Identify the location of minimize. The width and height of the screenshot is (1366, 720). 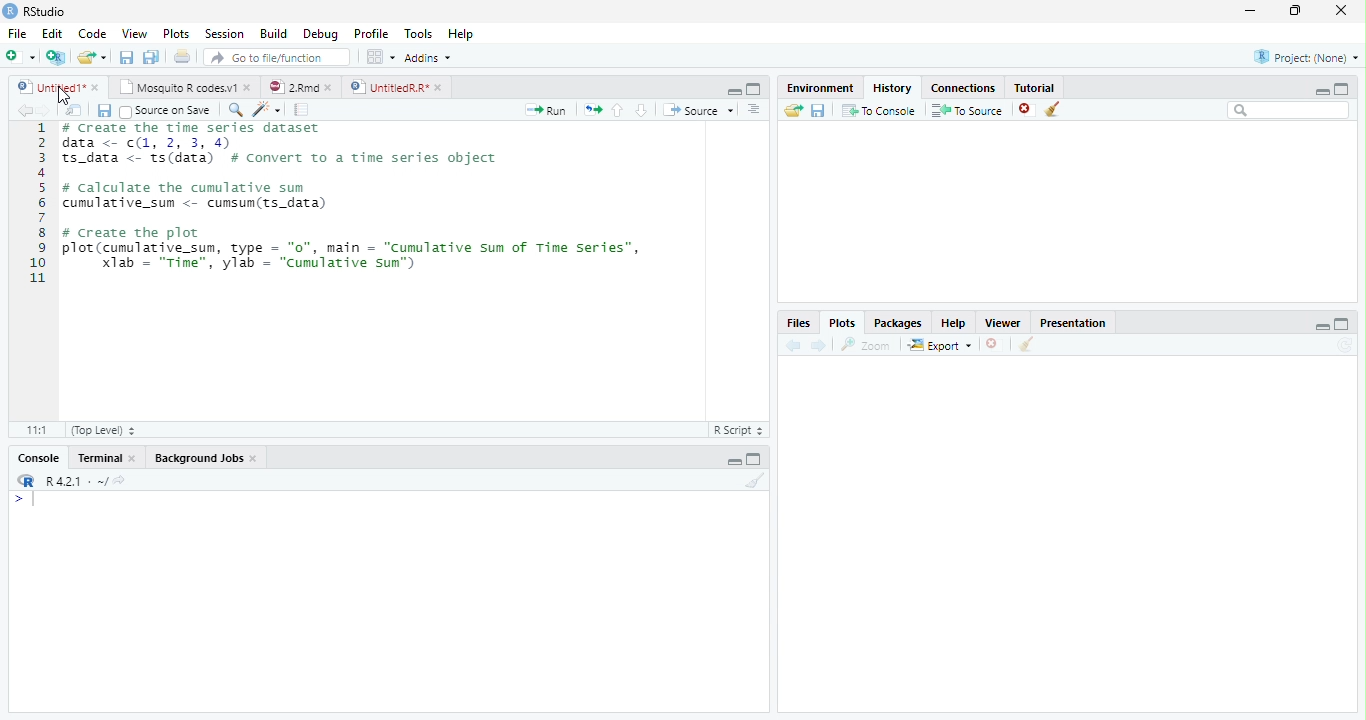
(1249, 12).